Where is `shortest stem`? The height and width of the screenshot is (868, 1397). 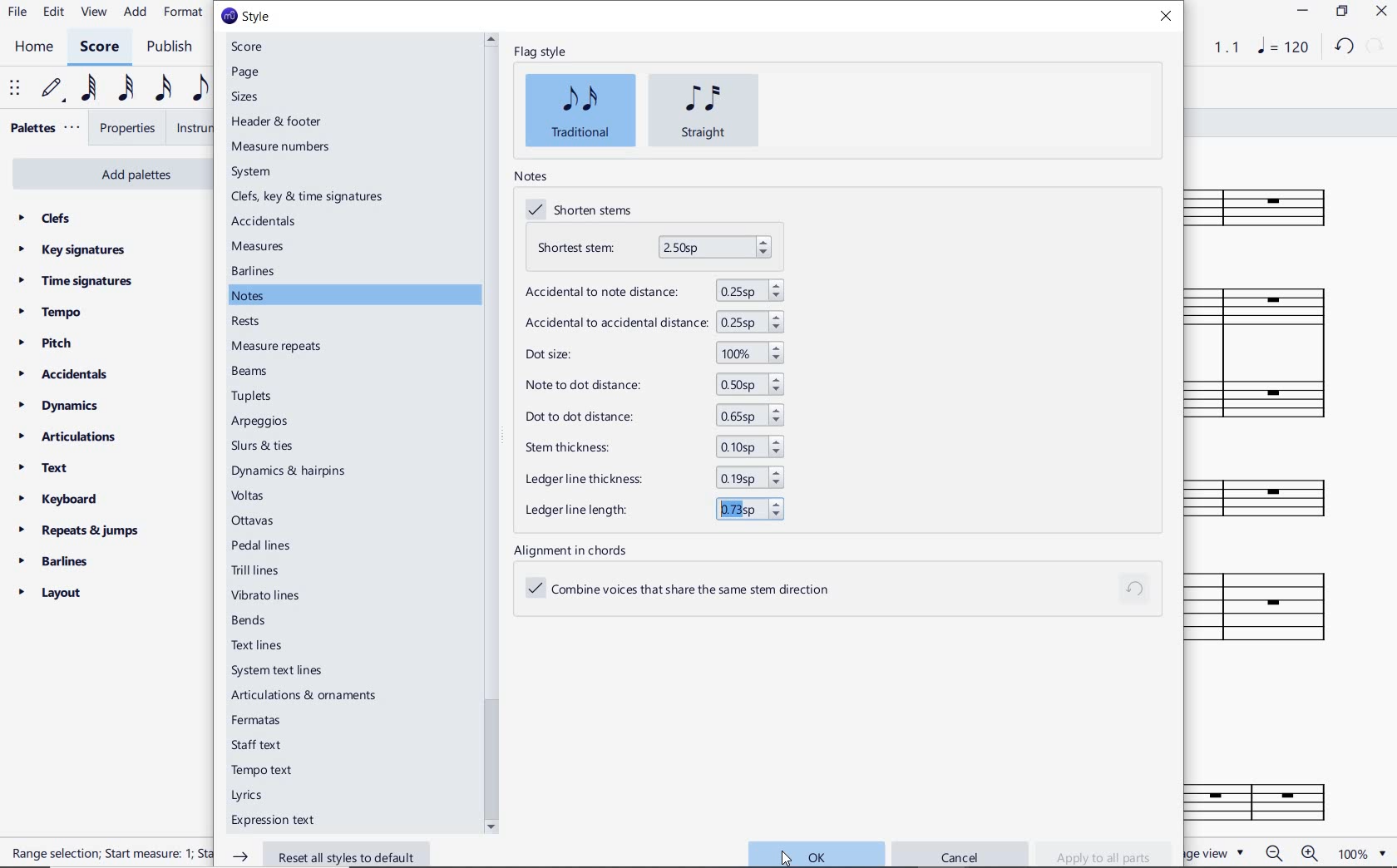 shortest stem is located at coordinates (654, 248).